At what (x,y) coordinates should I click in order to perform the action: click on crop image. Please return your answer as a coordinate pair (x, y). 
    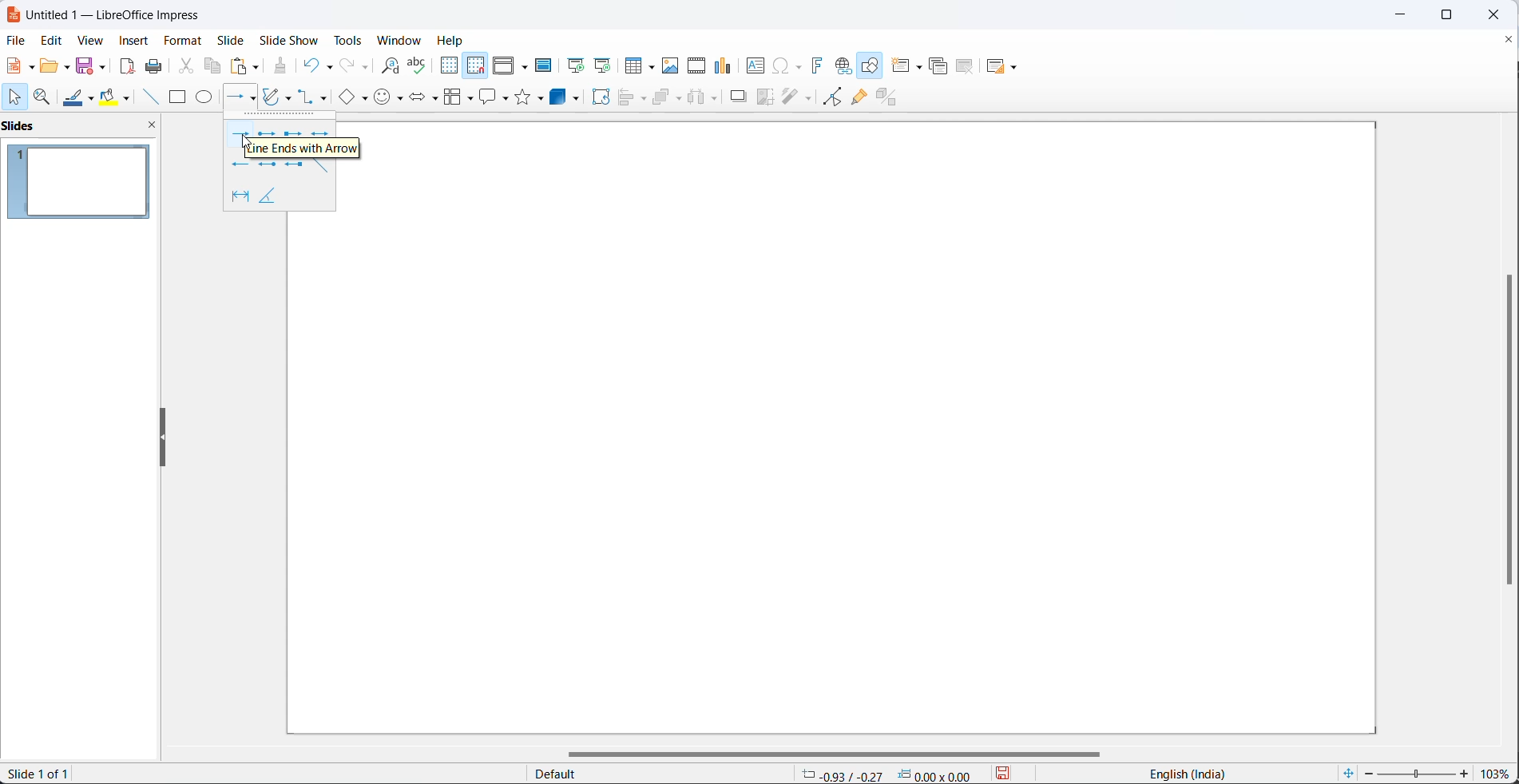
    Looking at the image, I should click on (766, 98).